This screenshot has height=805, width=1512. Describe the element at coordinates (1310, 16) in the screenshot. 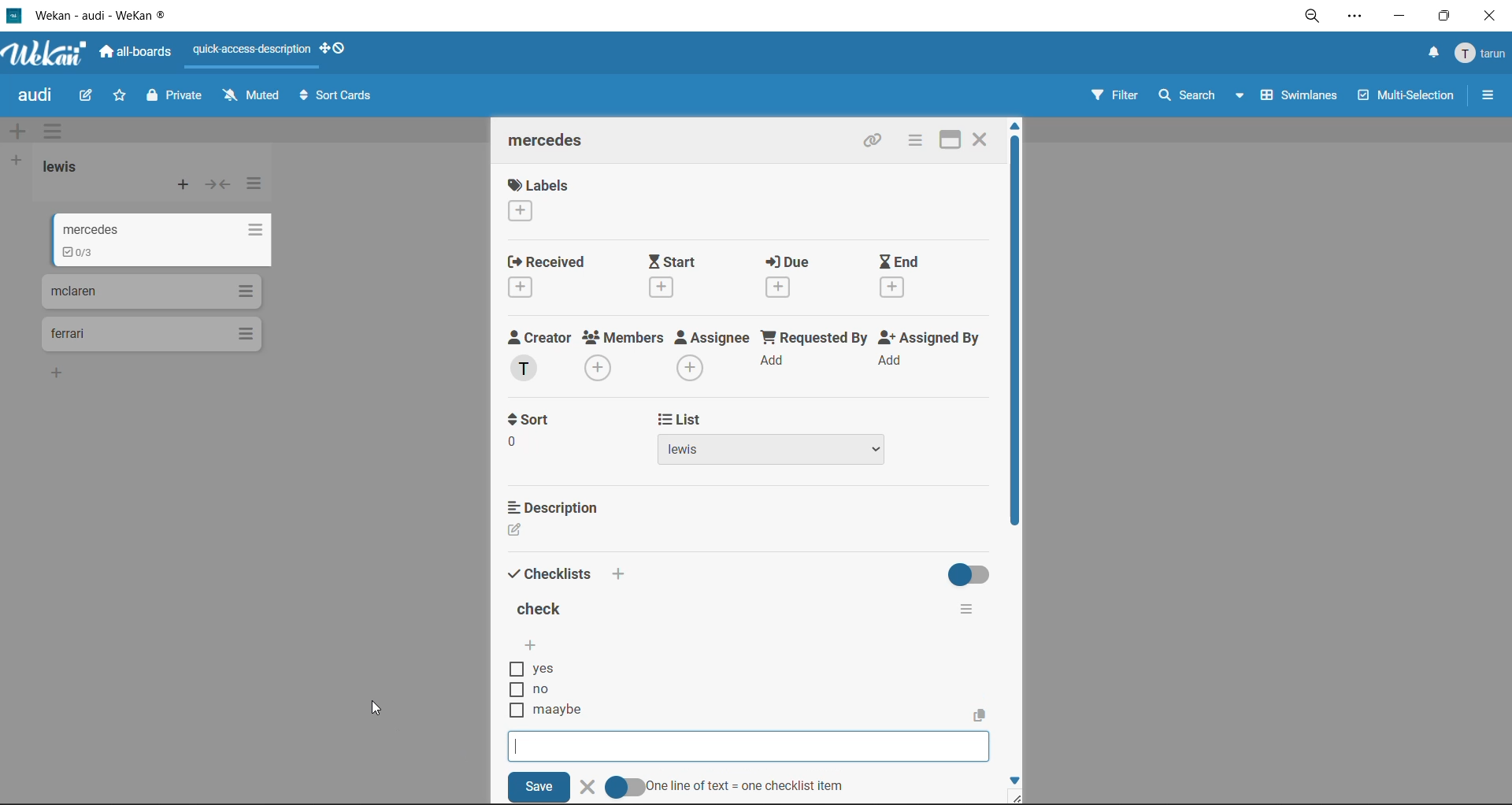

I see `zoom` at that location.